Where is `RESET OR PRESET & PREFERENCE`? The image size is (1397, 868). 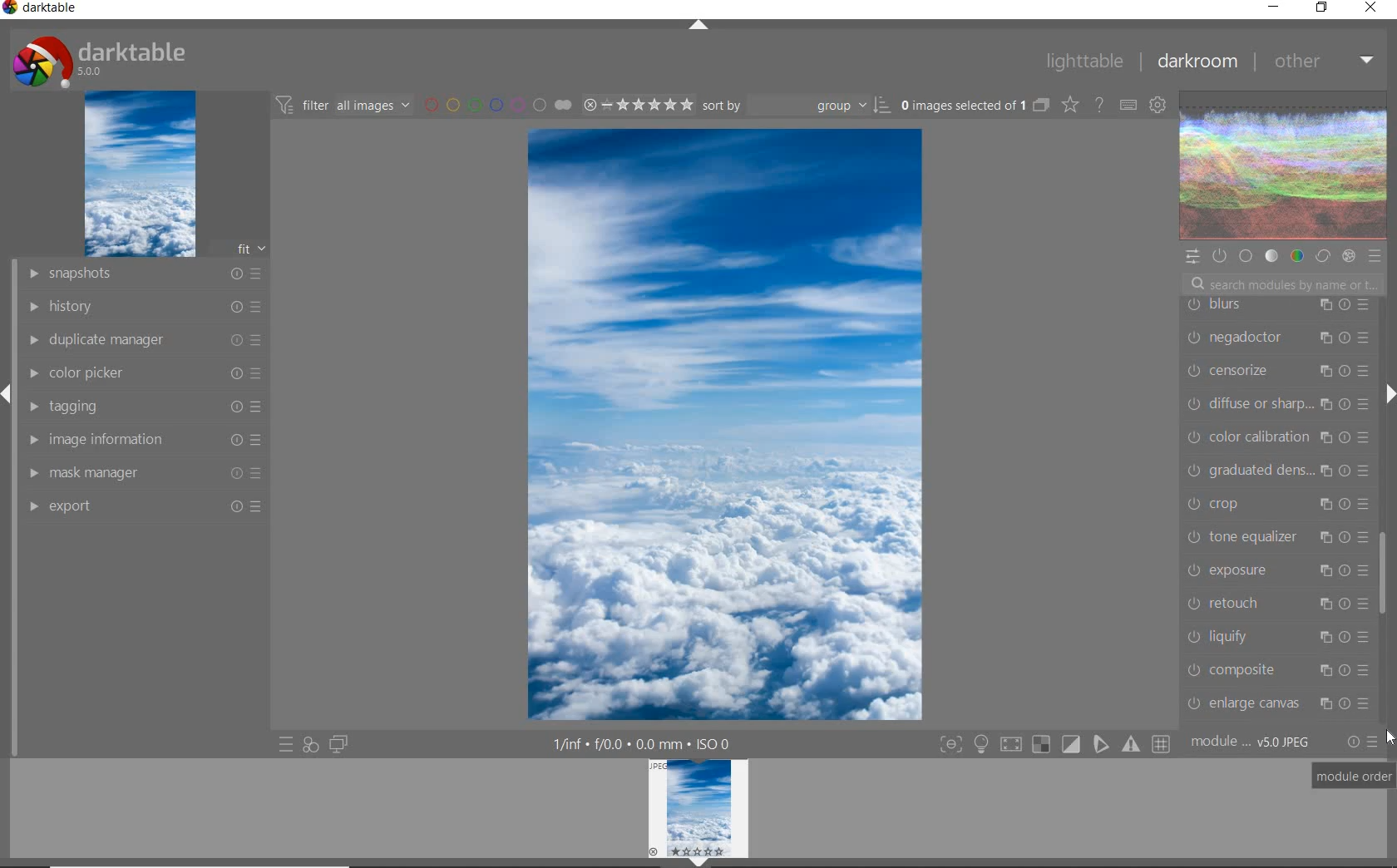
RESET OR PRESET & PREFERENCE is located at coordinates (1361, 741).